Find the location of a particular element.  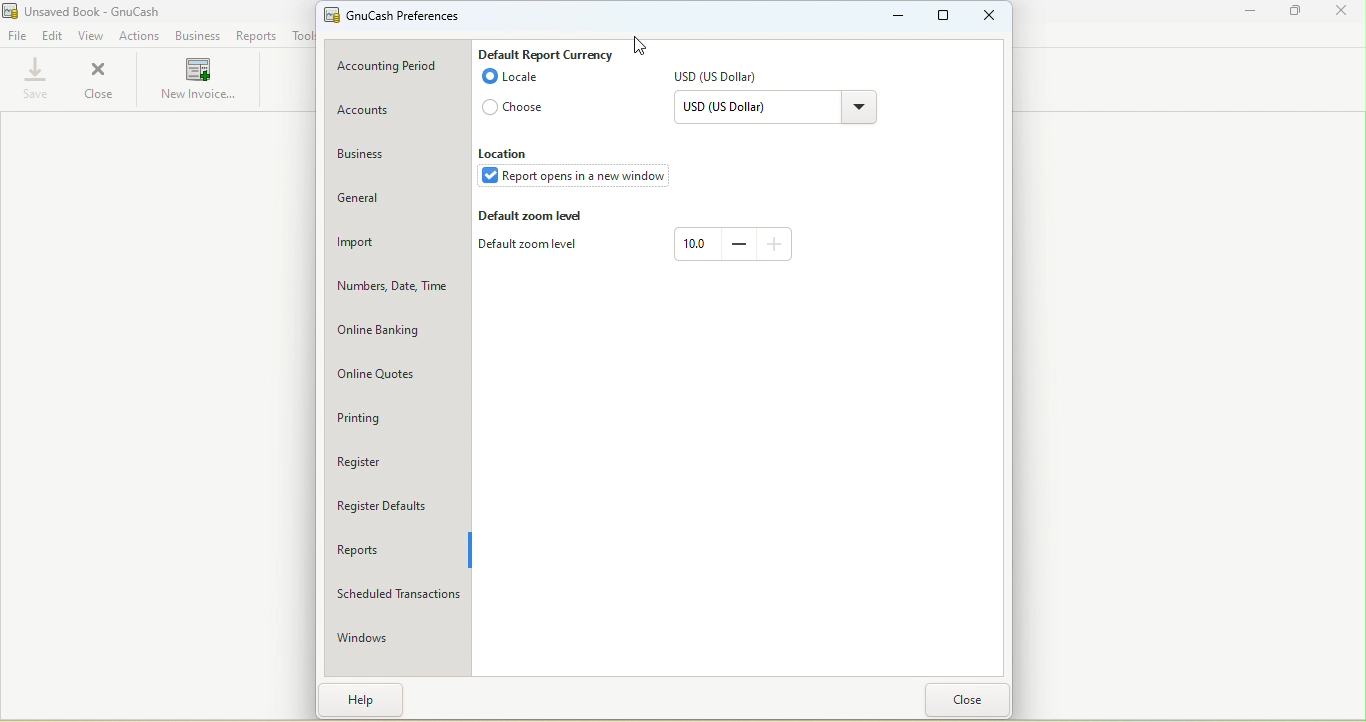

help is located at coordinates (367, 699).